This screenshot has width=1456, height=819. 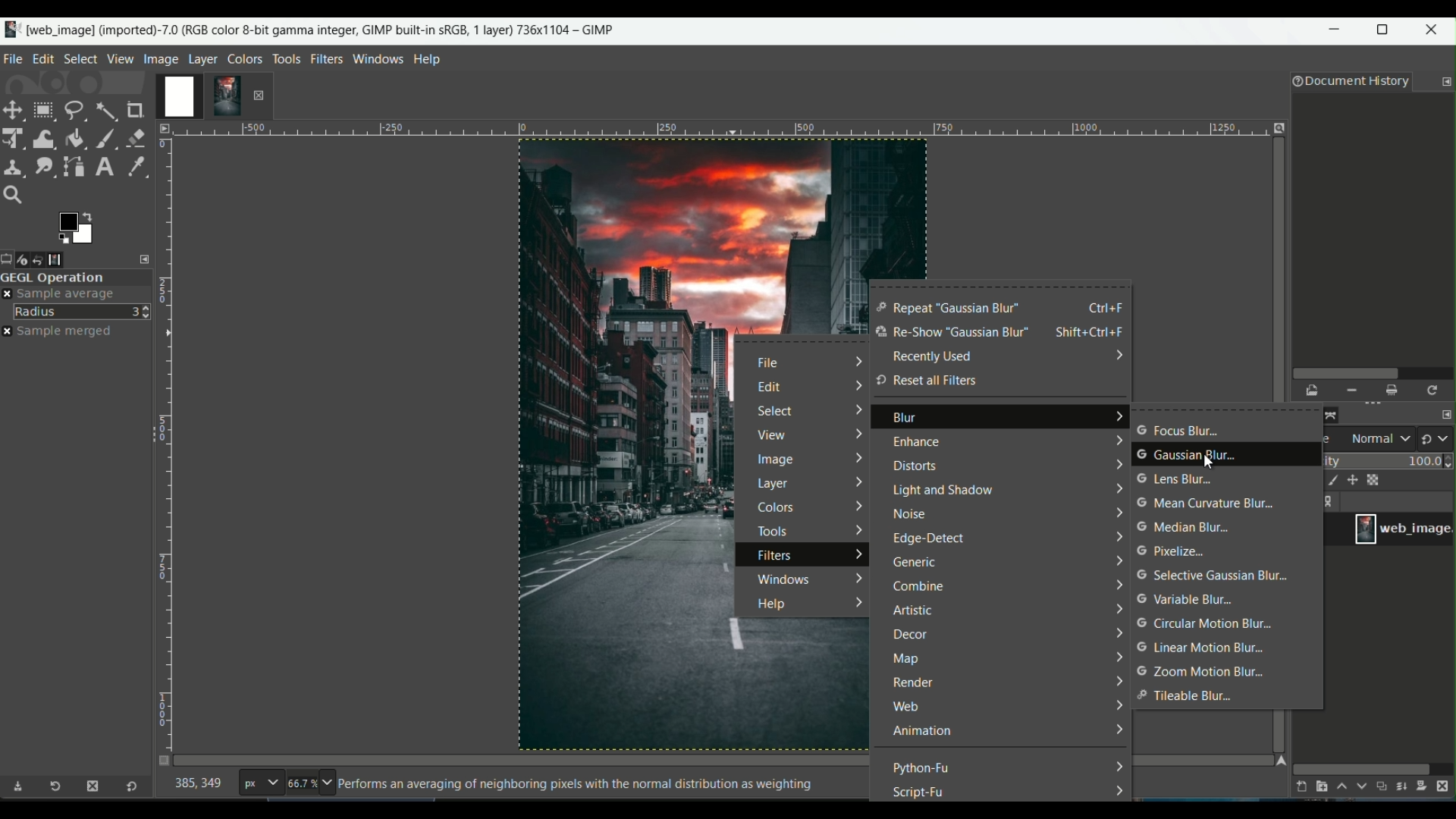 I want to click on create new layer, so click(x=1298, y=786).